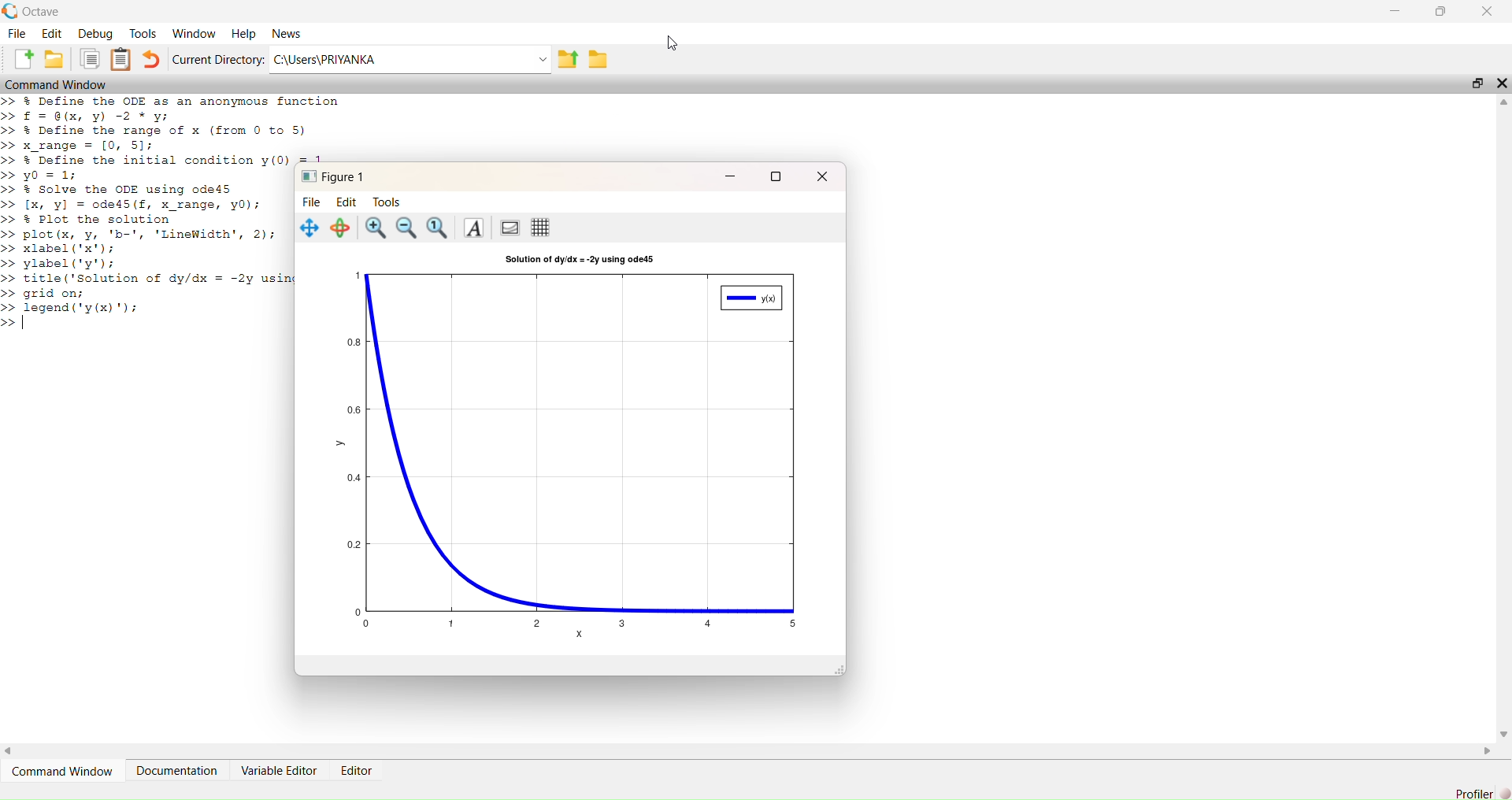 The height and width of the screenshot is (800, 1512). Describe the element at coordinates (580, 634) in the screenshot. I see `x` at that location.